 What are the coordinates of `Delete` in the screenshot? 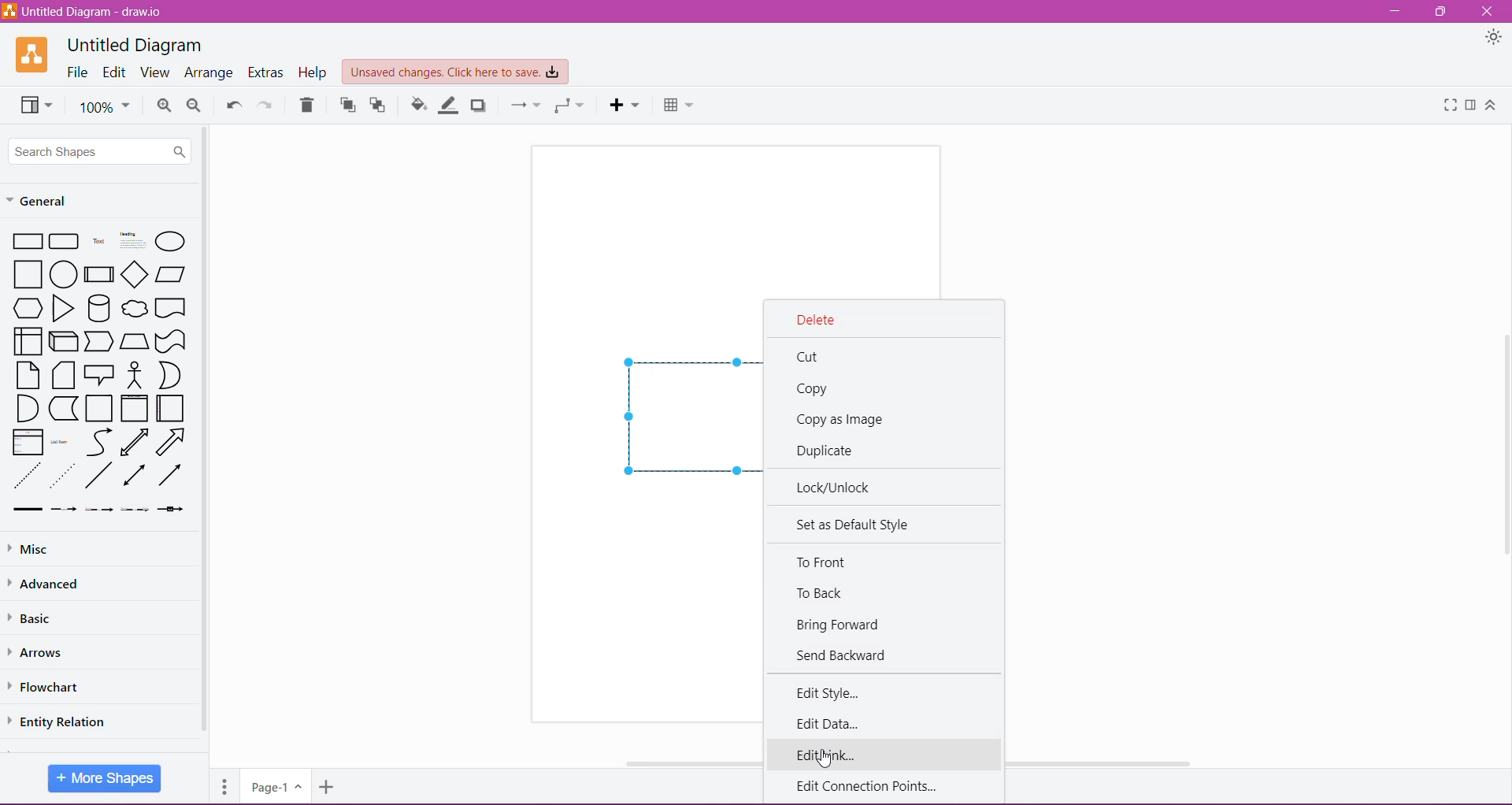 It's located at (308, 105).